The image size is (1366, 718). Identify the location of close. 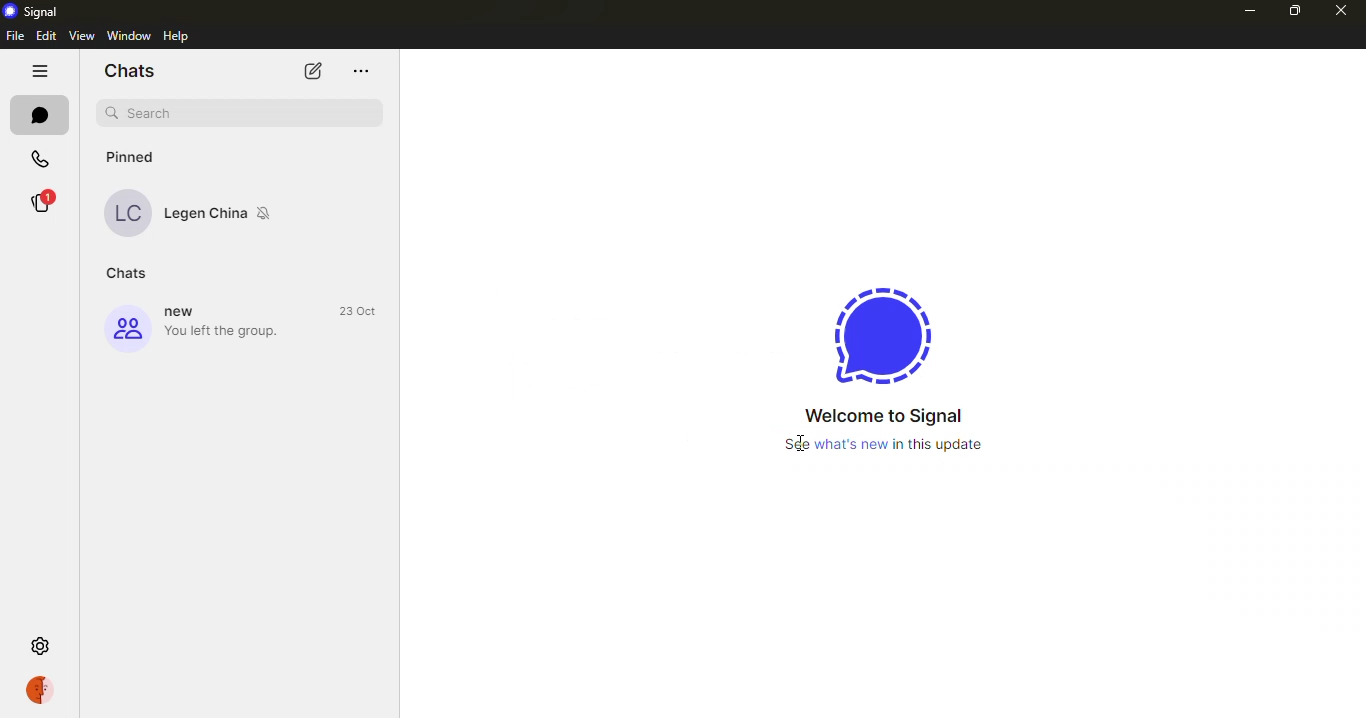
(1341, 12).